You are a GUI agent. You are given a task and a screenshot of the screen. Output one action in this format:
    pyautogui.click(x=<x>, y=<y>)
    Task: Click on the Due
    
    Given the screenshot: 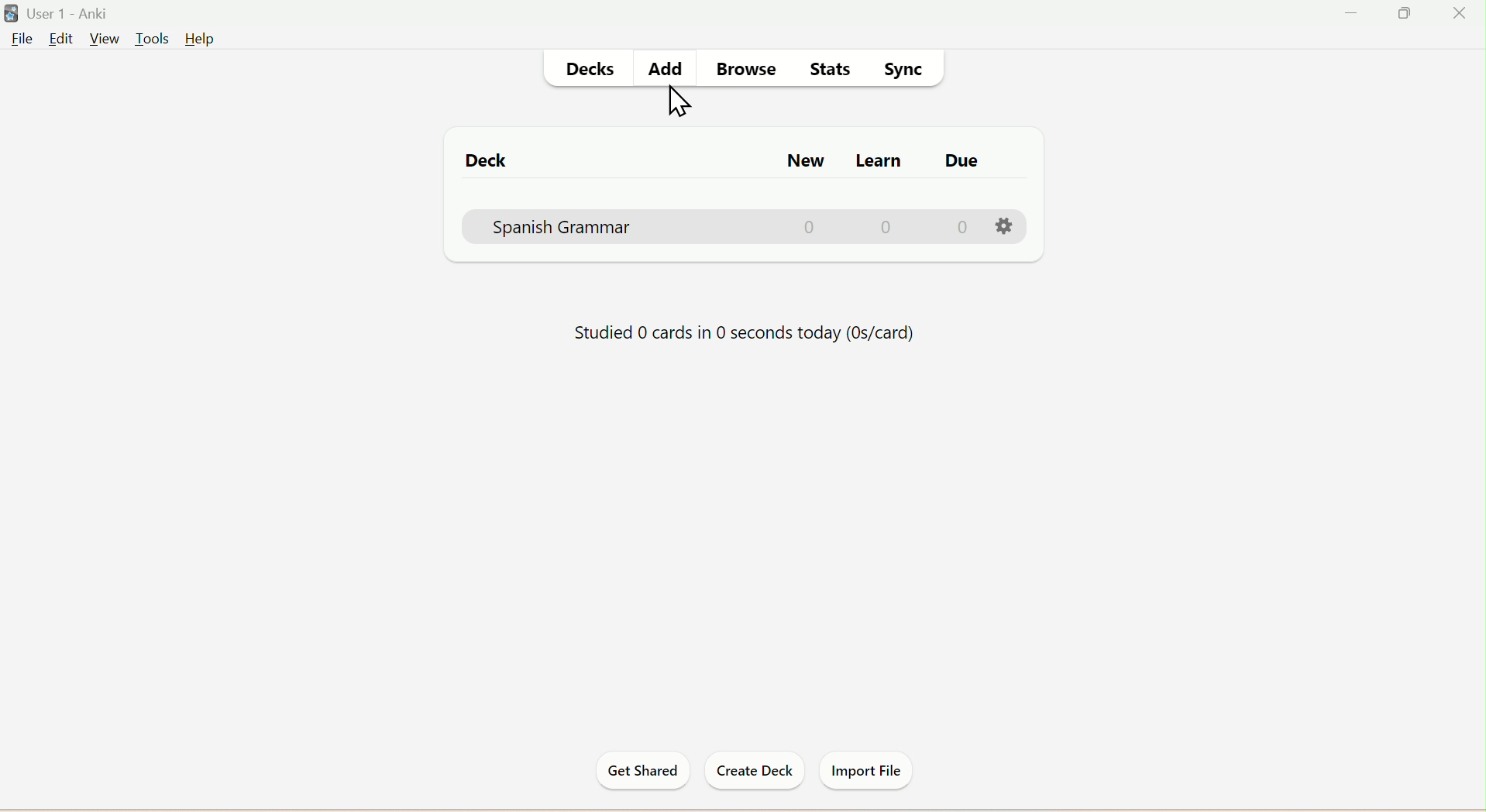 What is the action you would take?
    pyautogui.click(x=968, y=158)
    